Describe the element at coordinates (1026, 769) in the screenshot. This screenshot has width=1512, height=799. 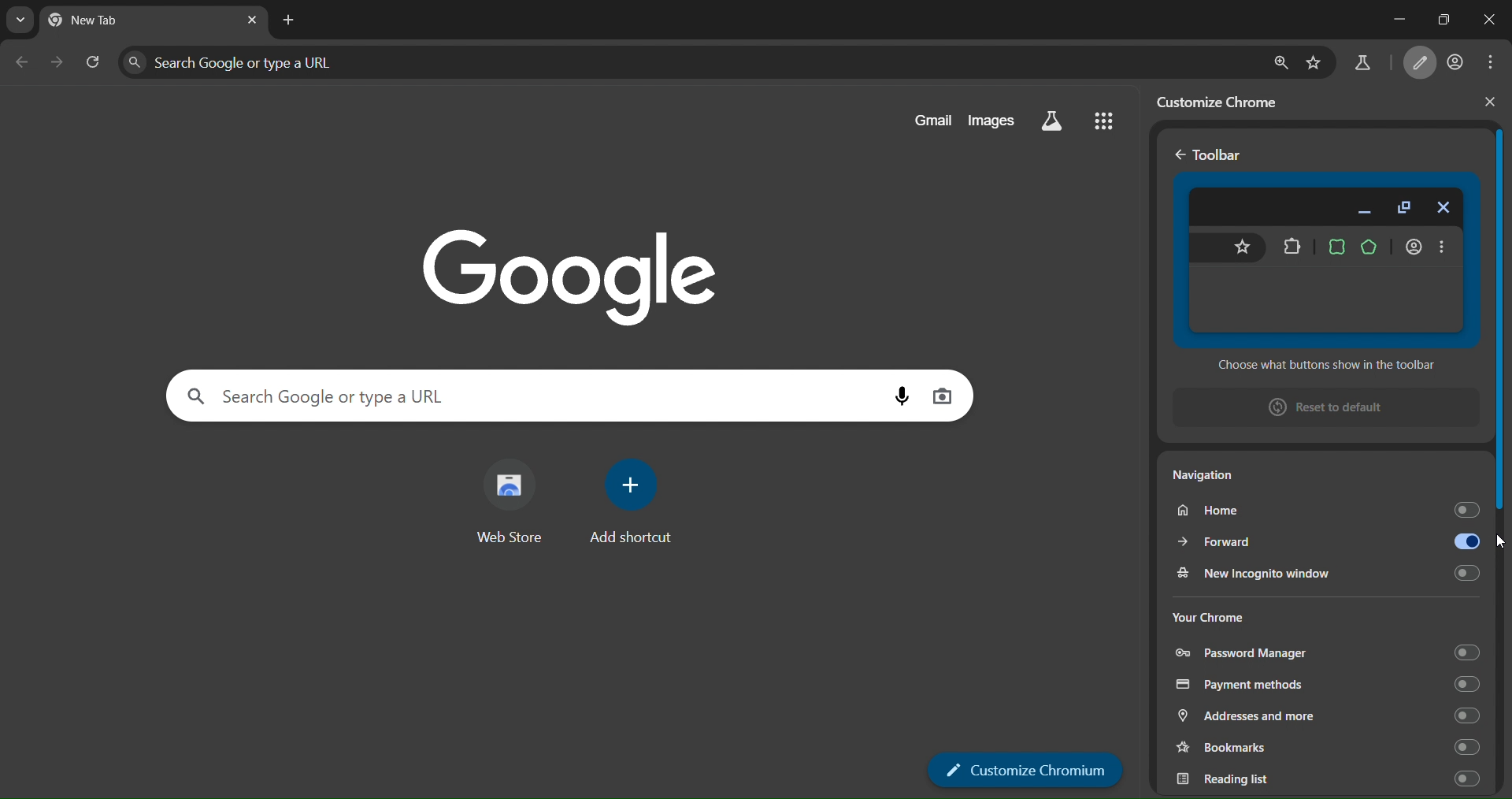
I see `customize chromium` at that location.